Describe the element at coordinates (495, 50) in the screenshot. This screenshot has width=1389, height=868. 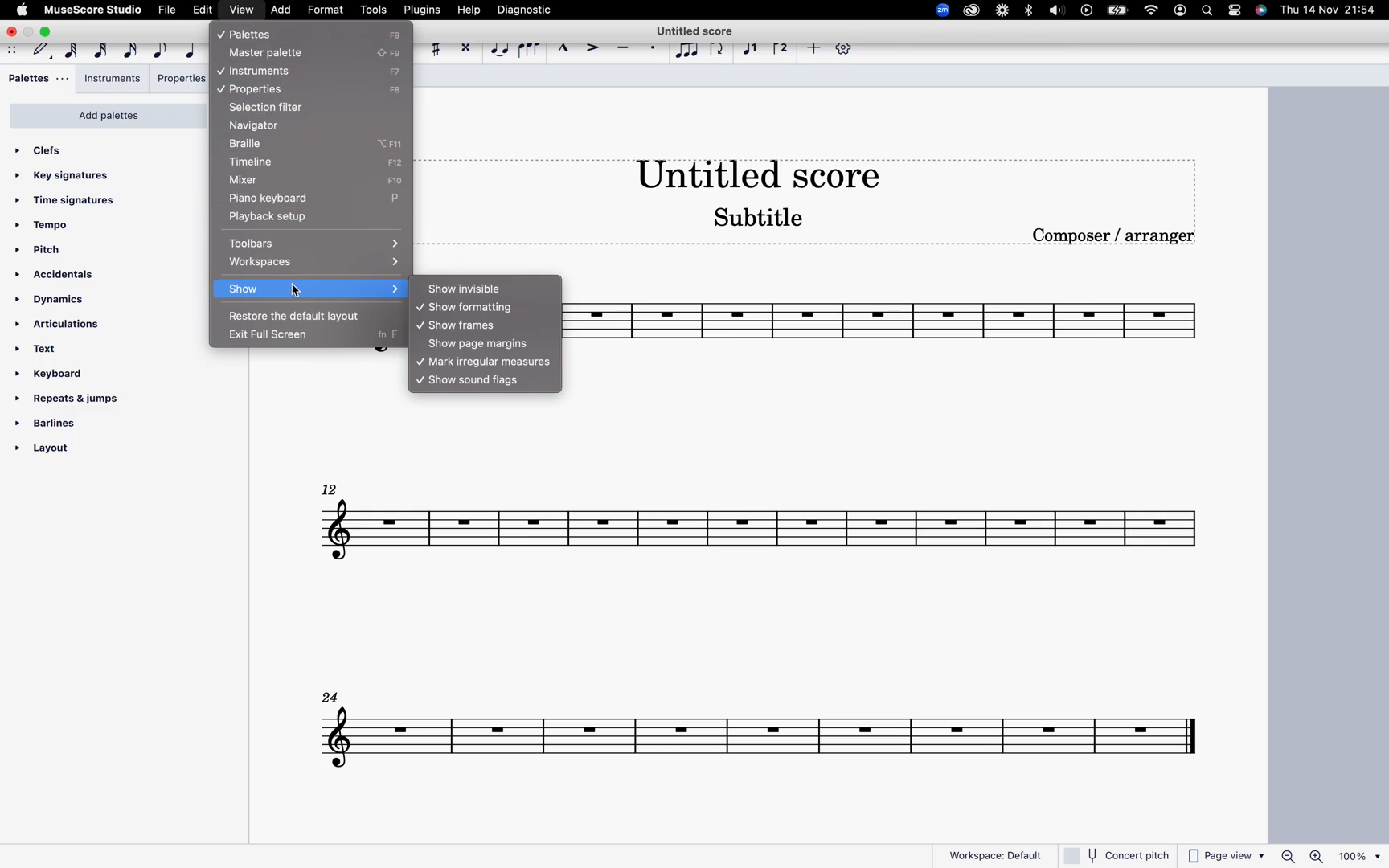
I see `tie` at that location.